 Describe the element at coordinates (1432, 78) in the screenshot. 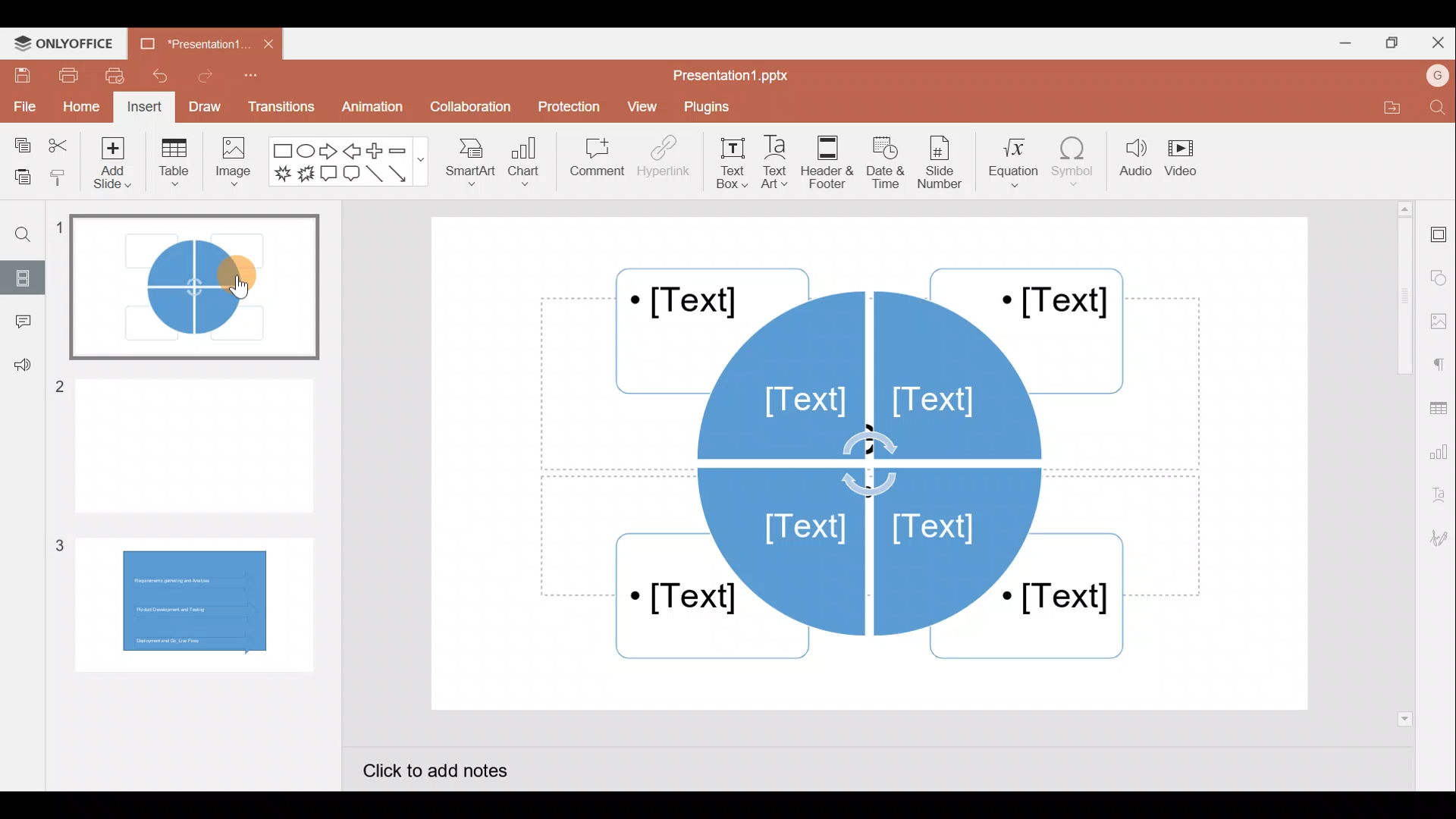

I see `Account name` at that location.